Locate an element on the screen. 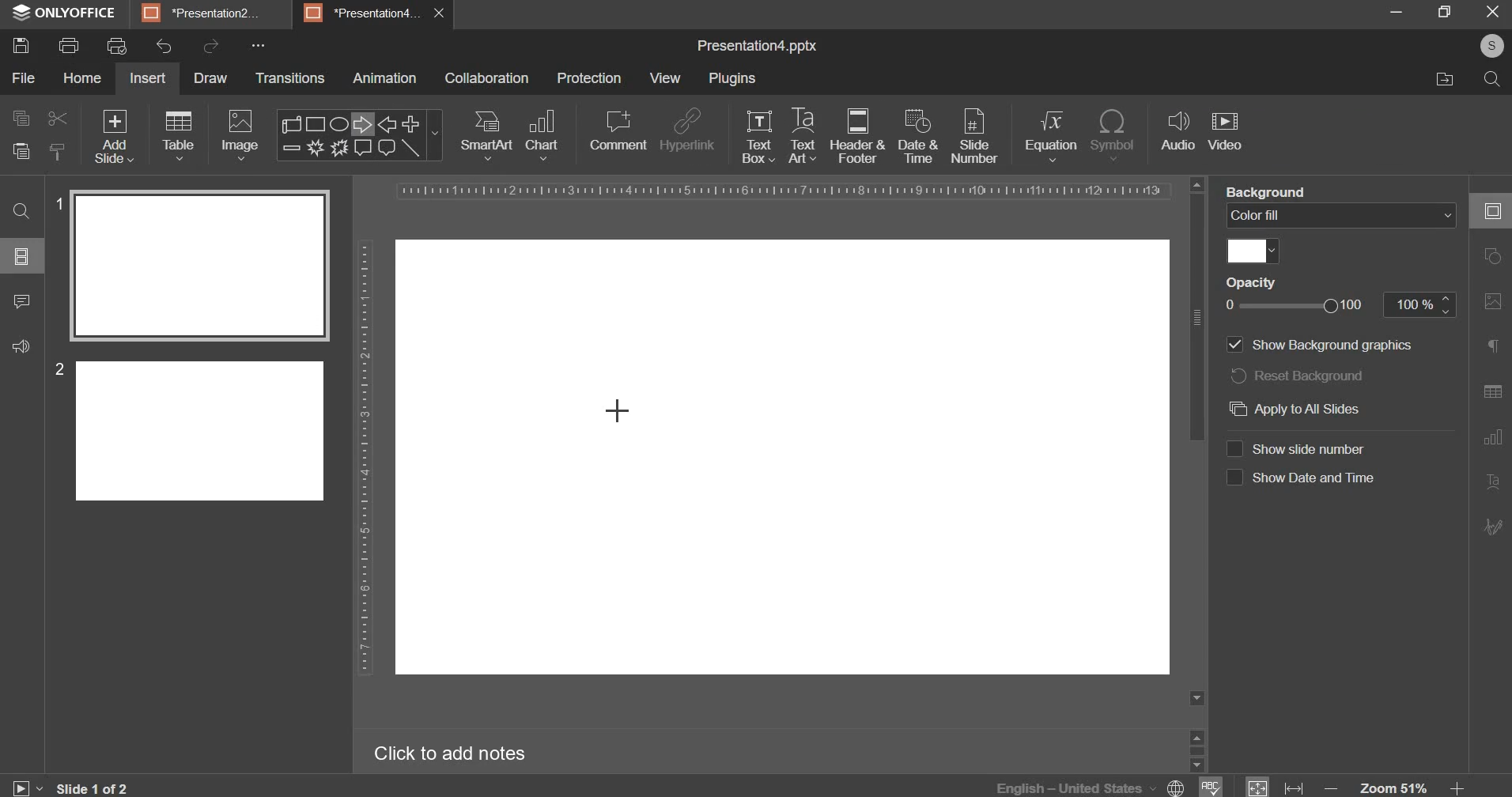 The width and height of the screenshot is (1512, 797). show slide number is located at coordinates (1236, 448).